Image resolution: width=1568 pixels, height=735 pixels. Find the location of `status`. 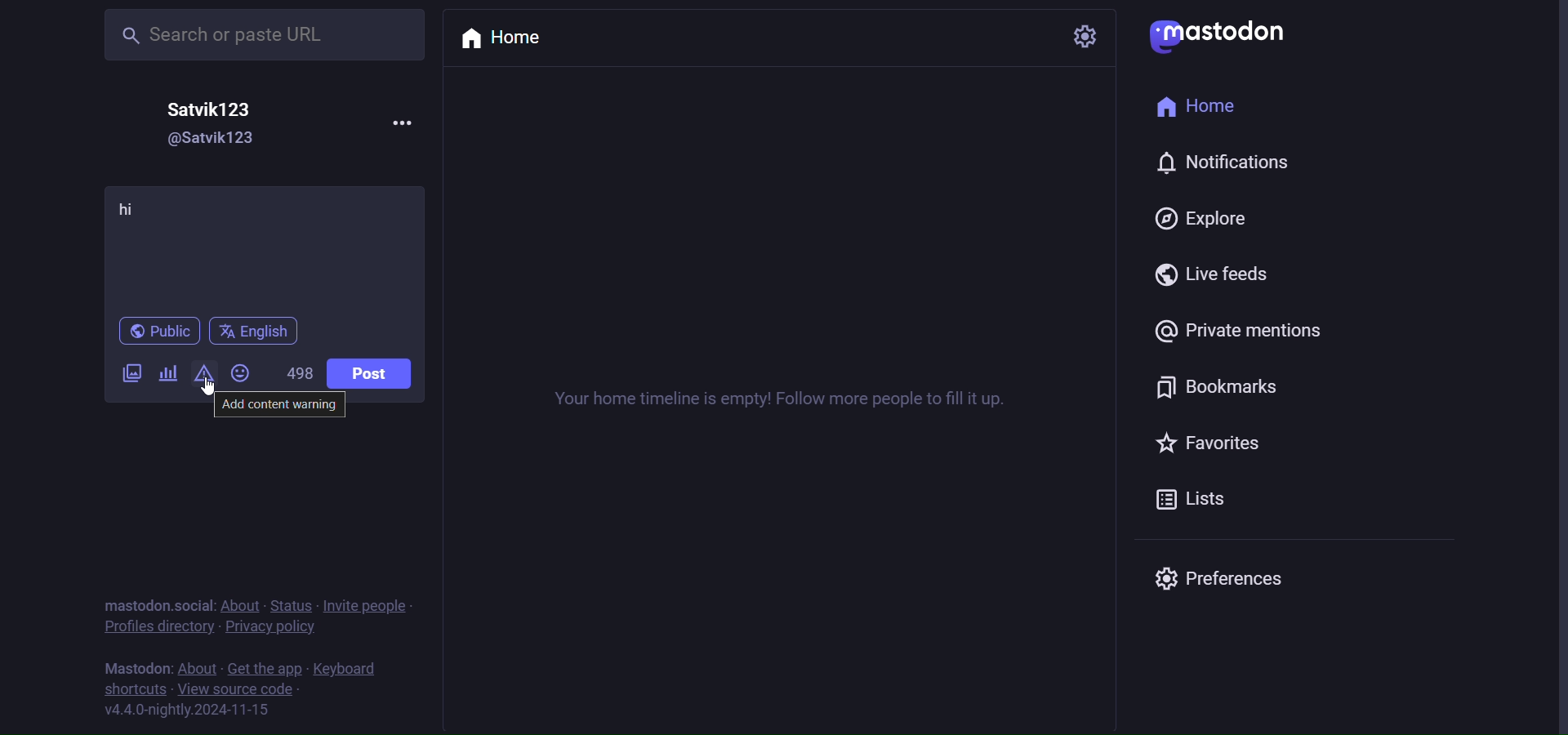

status is located at coordinates (296, 606).